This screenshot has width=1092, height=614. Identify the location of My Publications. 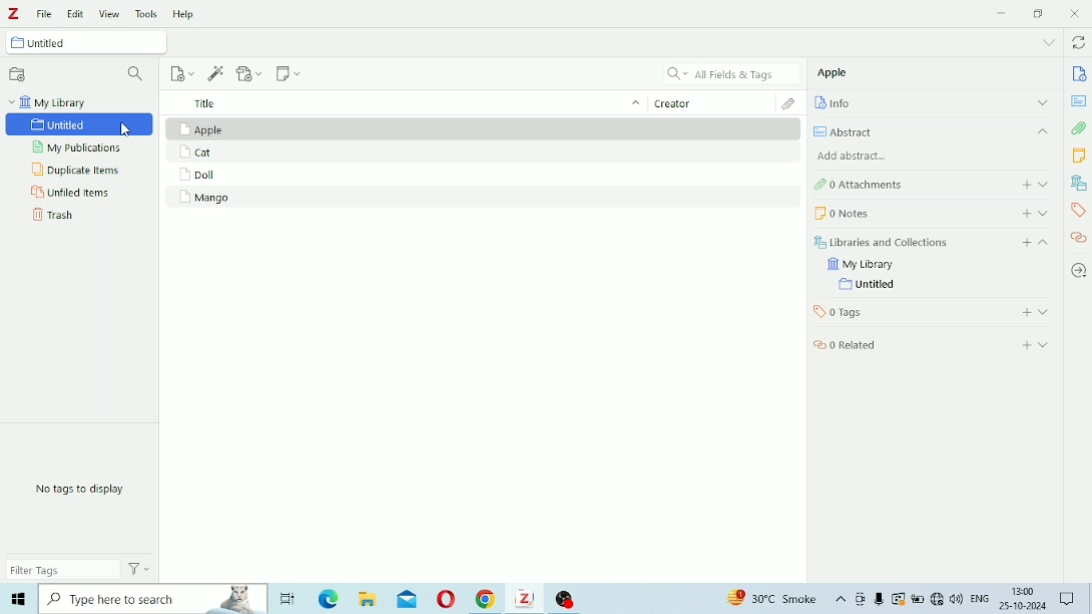
(78, 146).